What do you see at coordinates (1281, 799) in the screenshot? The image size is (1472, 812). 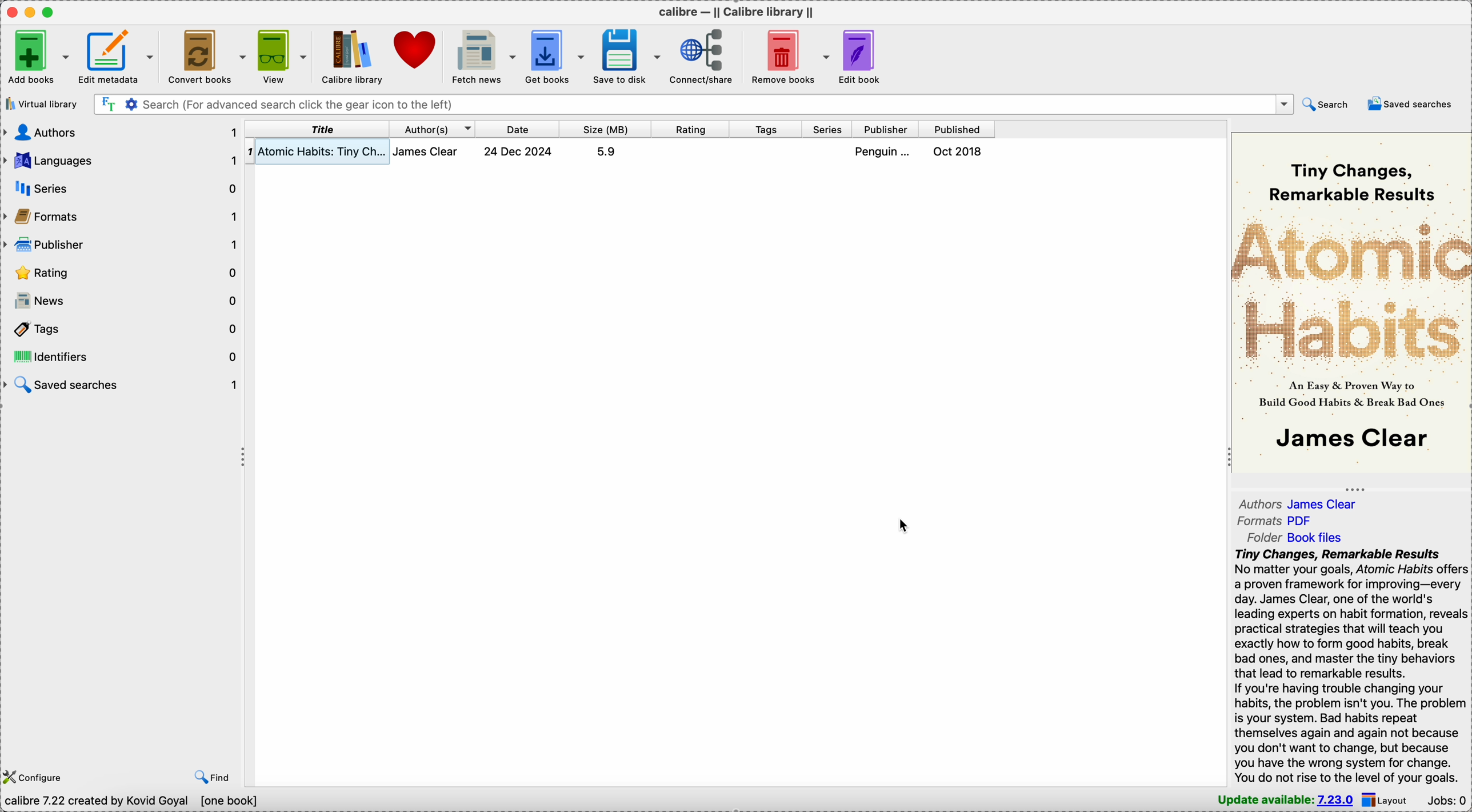 I see `update available: 7.23.0` at bounding box center [1281, 799].